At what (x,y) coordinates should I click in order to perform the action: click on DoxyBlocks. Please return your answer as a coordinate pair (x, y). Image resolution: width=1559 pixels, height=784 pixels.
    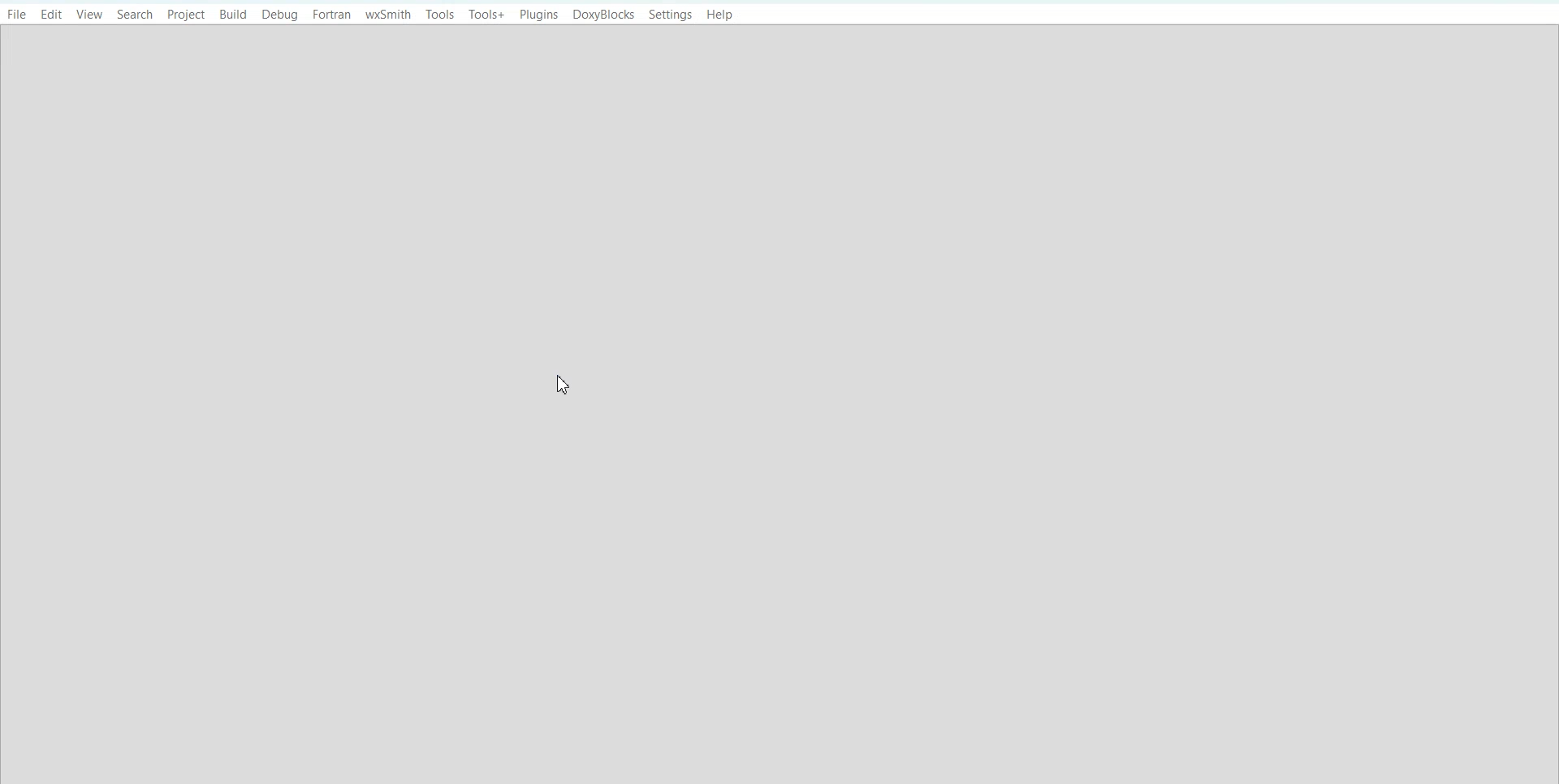
    Looking at the image, I should click on (603, 15).